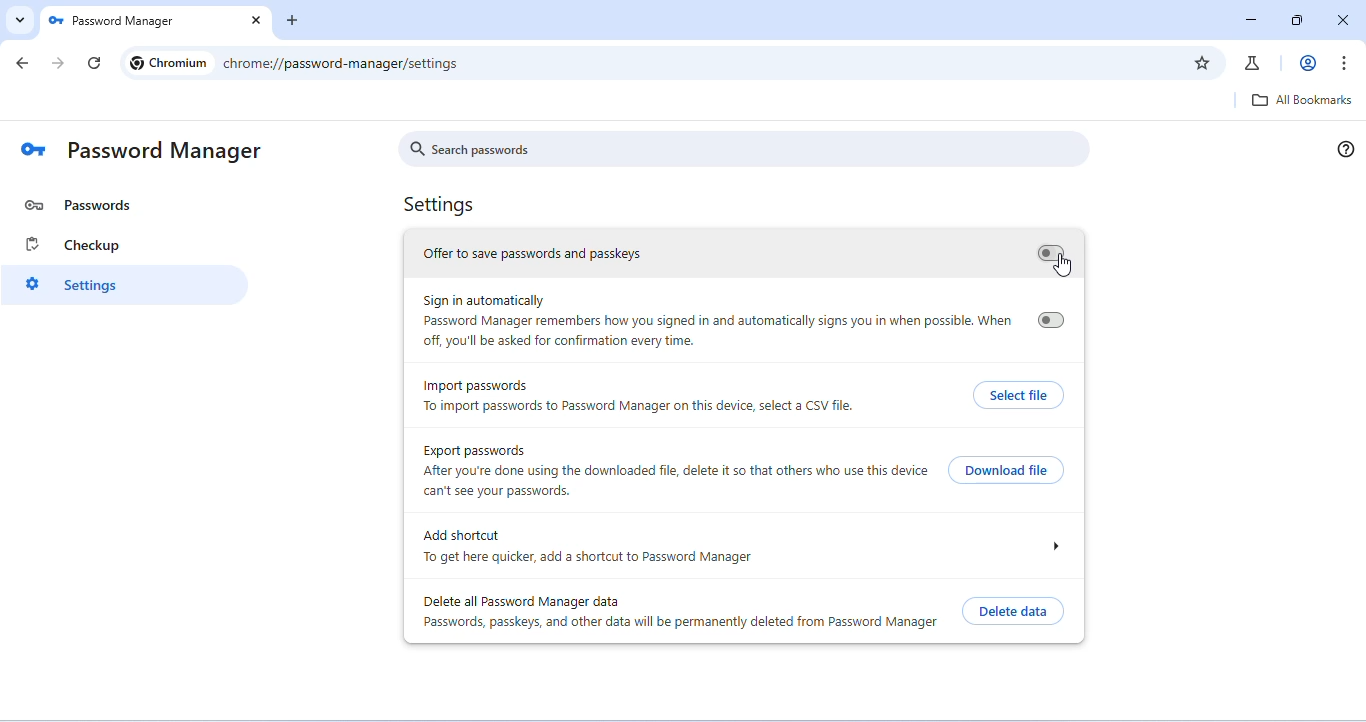  I want to click on Chromium, so click(168, 62).